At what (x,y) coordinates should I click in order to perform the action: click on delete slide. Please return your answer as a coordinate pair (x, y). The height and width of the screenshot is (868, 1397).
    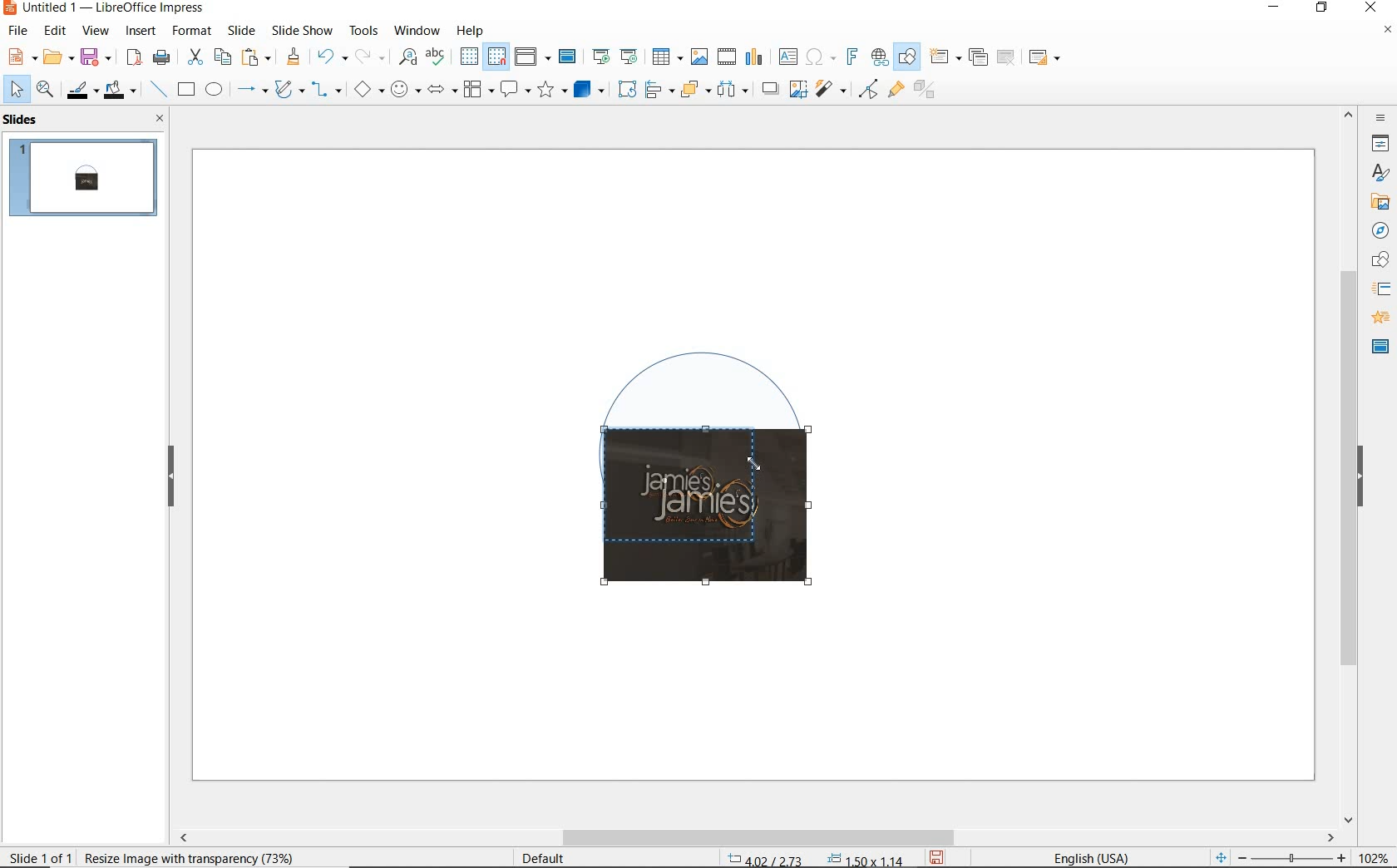
    Looking at the image, I should click on (1006, 58).